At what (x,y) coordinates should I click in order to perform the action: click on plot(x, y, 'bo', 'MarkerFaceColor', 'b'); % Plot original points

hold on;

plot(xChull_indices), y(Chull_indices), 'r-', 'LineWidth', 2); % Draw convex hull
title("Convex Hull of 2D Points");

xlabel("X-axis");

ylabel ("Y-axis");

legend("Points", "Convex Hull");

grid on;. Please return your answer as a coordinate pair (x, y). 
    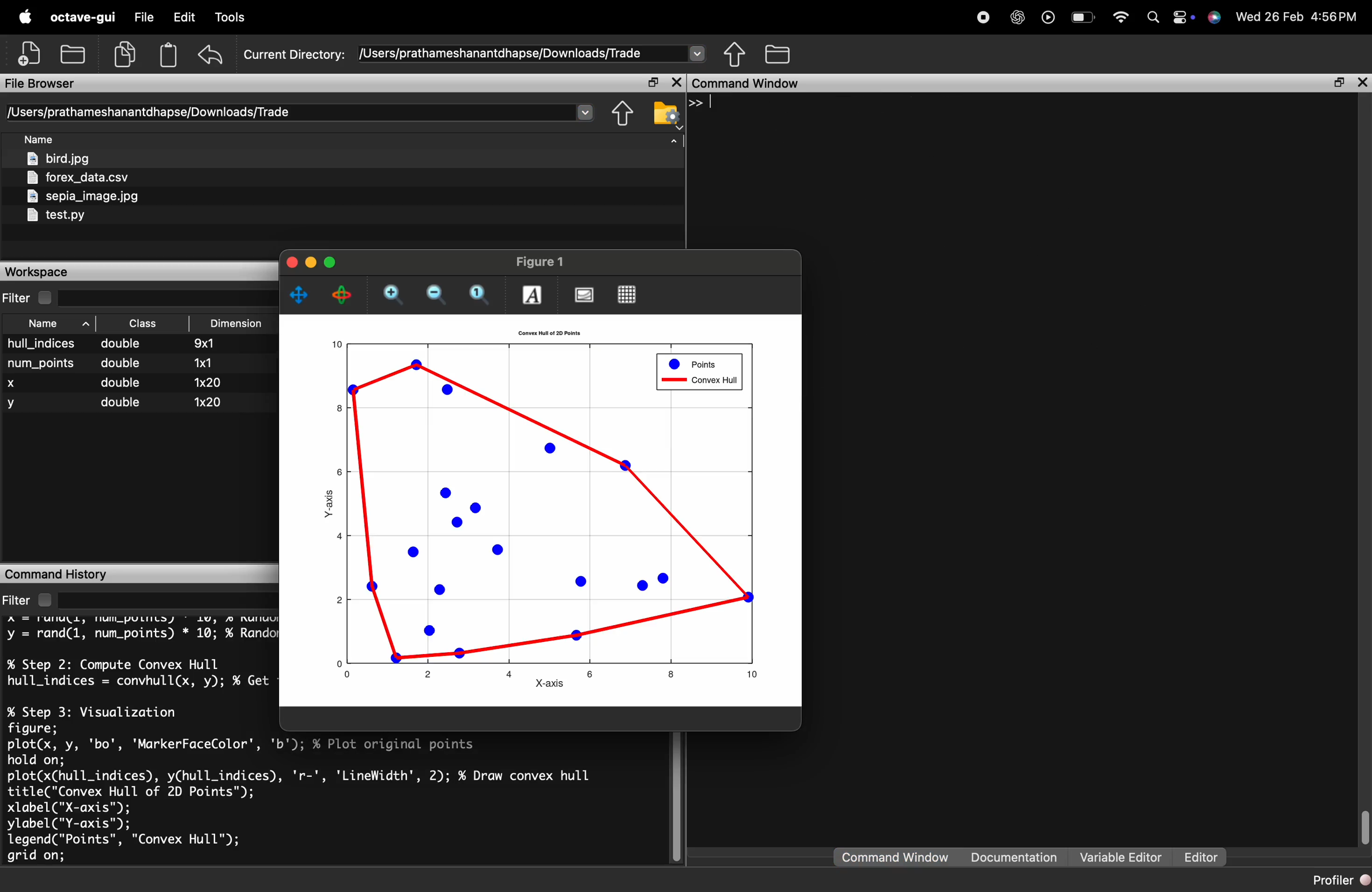
    Looking at the image, I should click on (303, 802).